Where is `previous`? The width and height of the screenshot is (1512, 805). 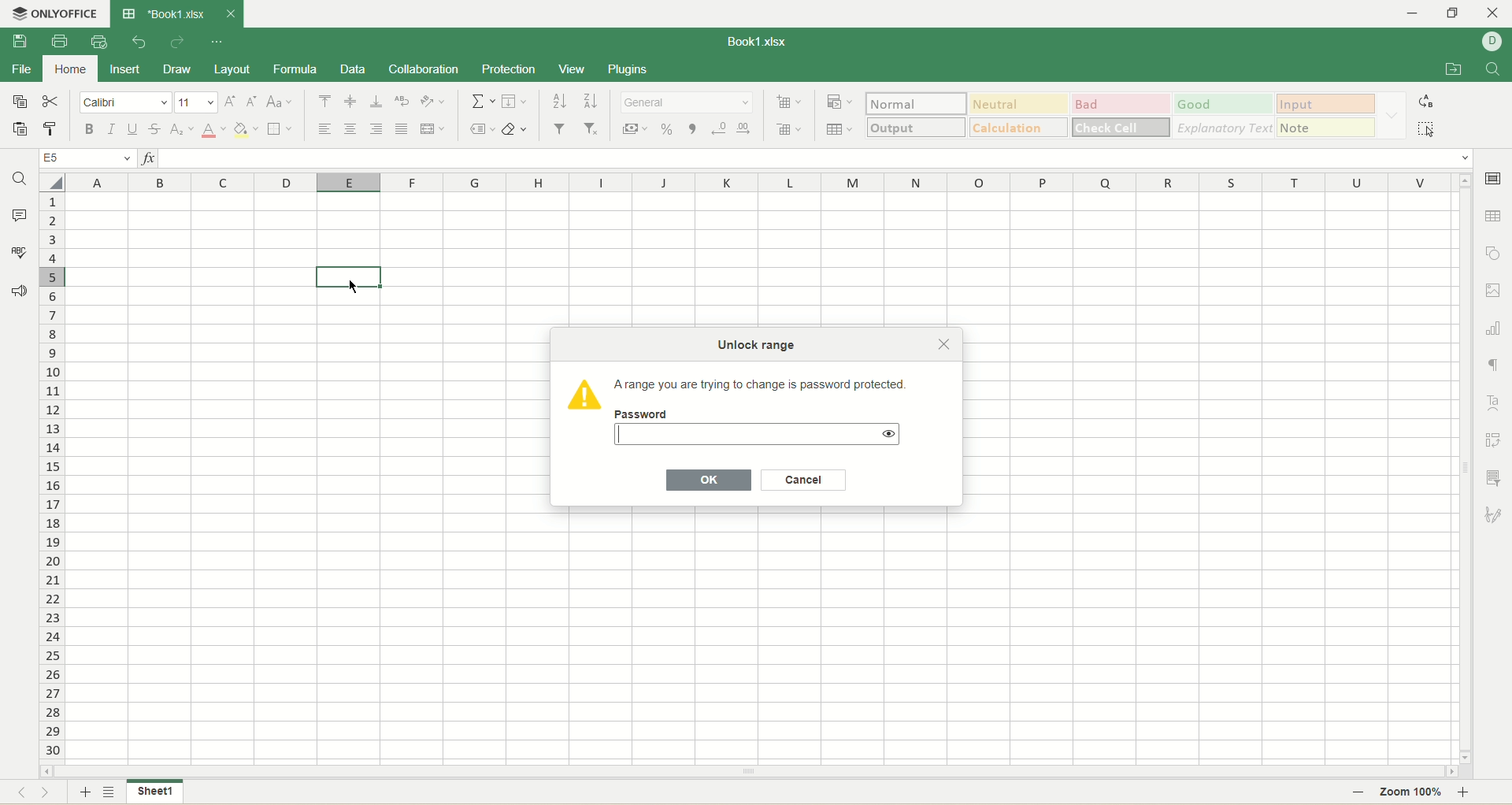
previous is located at coordinates (23, 794).